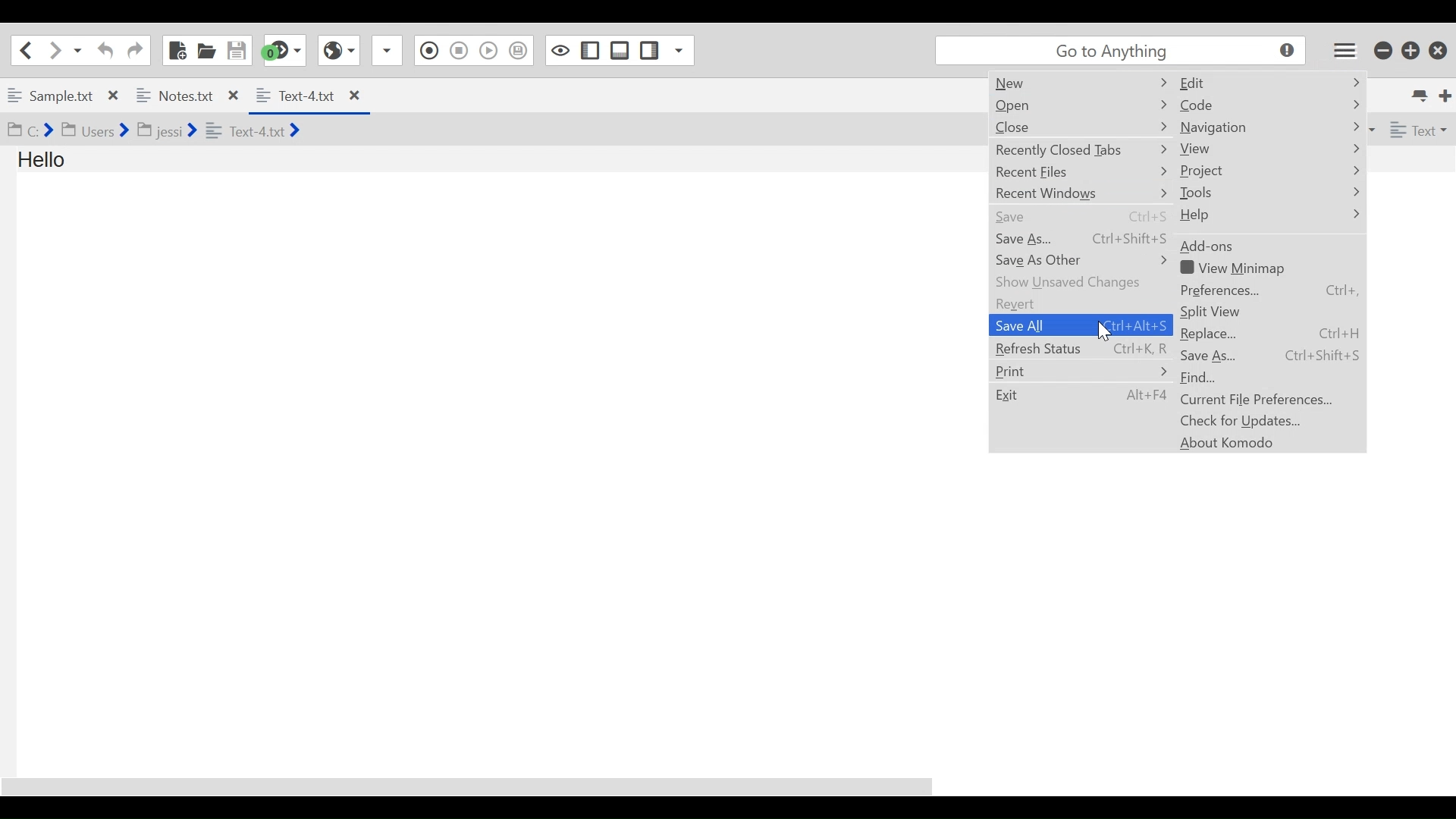 The width and height of the screenshot is (1456, 819). What do you see at coordinates (650, 51) in the screenshot?
I see `Show/Hide Right Pane` at bounding box center [650, 51].